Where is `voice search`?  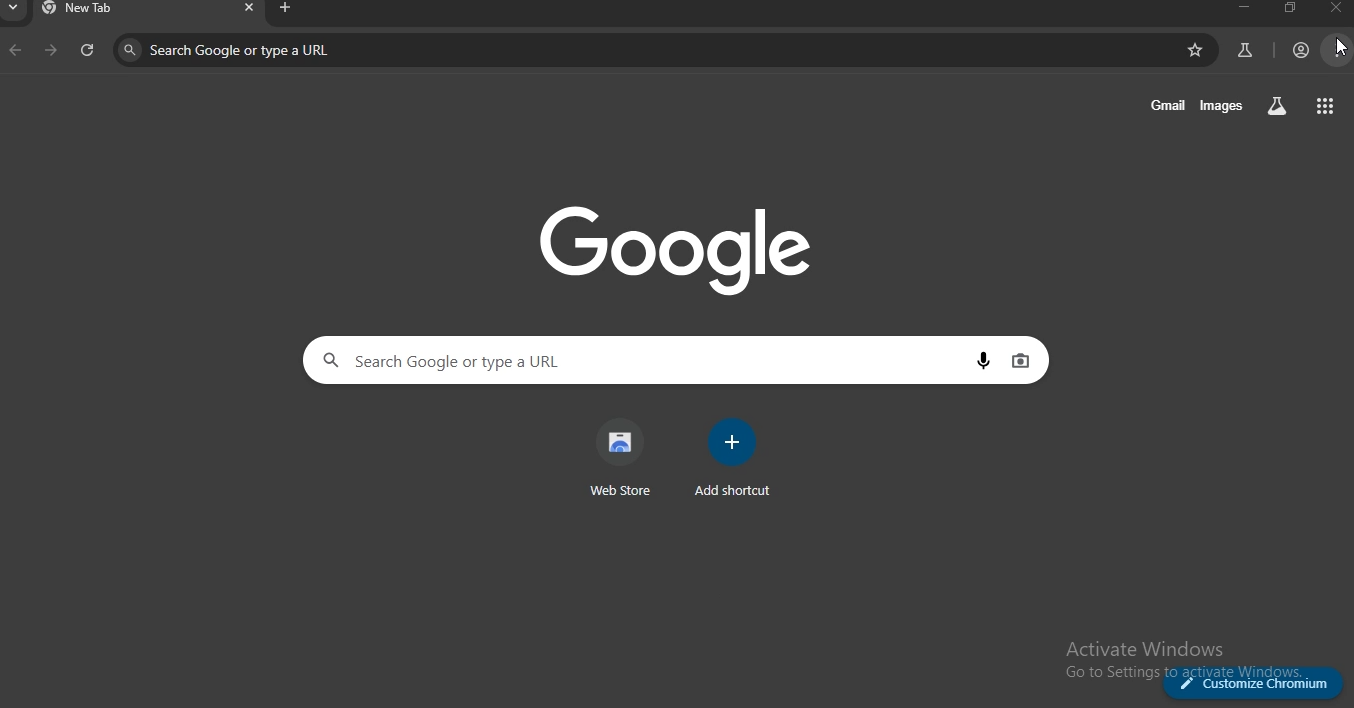 voice search is located at coordinates (985, 361).